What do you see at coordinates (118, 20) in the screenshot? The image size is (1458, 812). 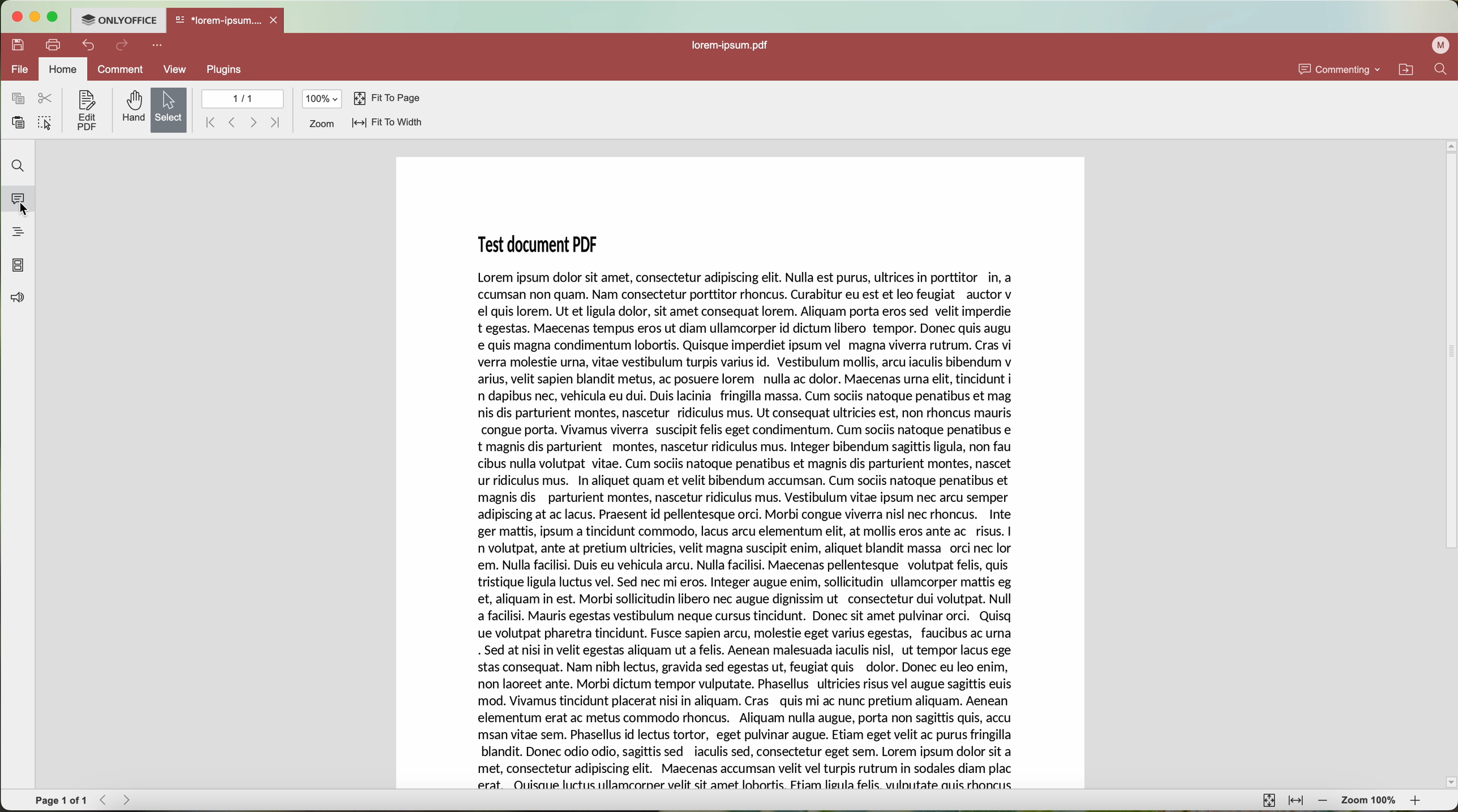 I see `ONLYOFFICE` at bounding box center [118, 20].